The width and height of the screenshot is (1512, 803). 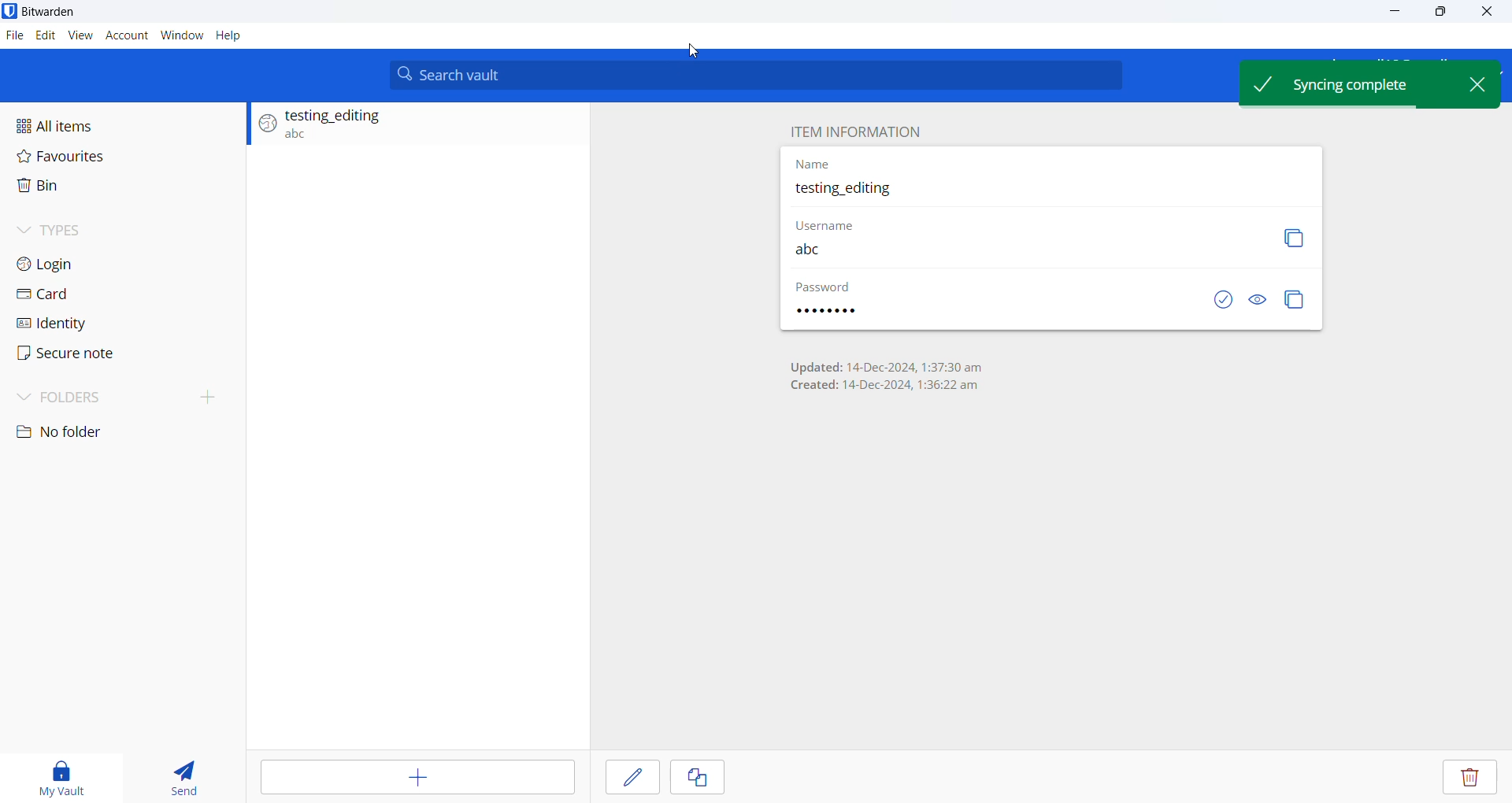 I want to click on view, so click(x=80, y=34).